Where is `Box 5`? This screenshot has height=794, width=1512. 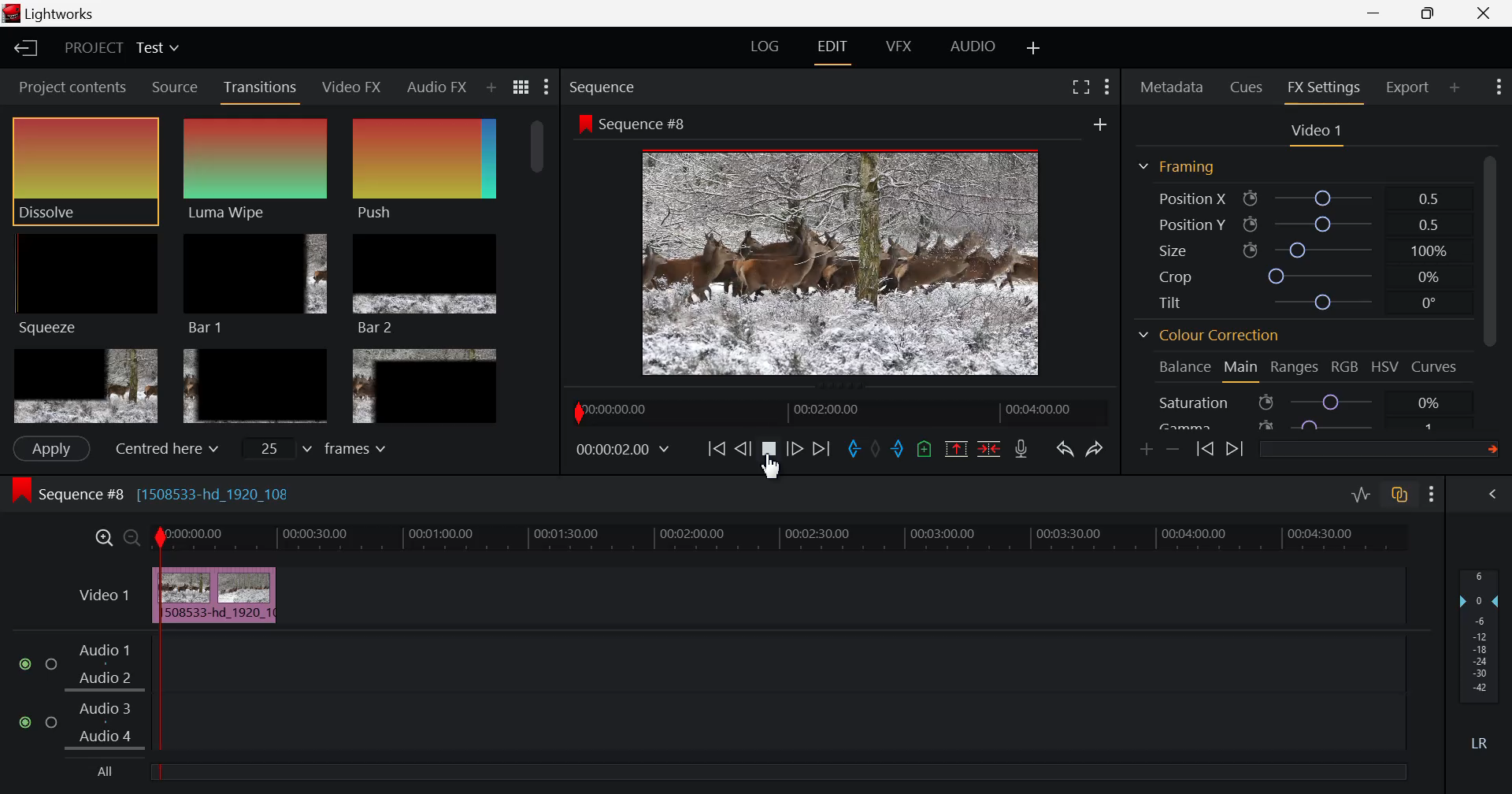
Box 5 is located at coordinates (256, 388).